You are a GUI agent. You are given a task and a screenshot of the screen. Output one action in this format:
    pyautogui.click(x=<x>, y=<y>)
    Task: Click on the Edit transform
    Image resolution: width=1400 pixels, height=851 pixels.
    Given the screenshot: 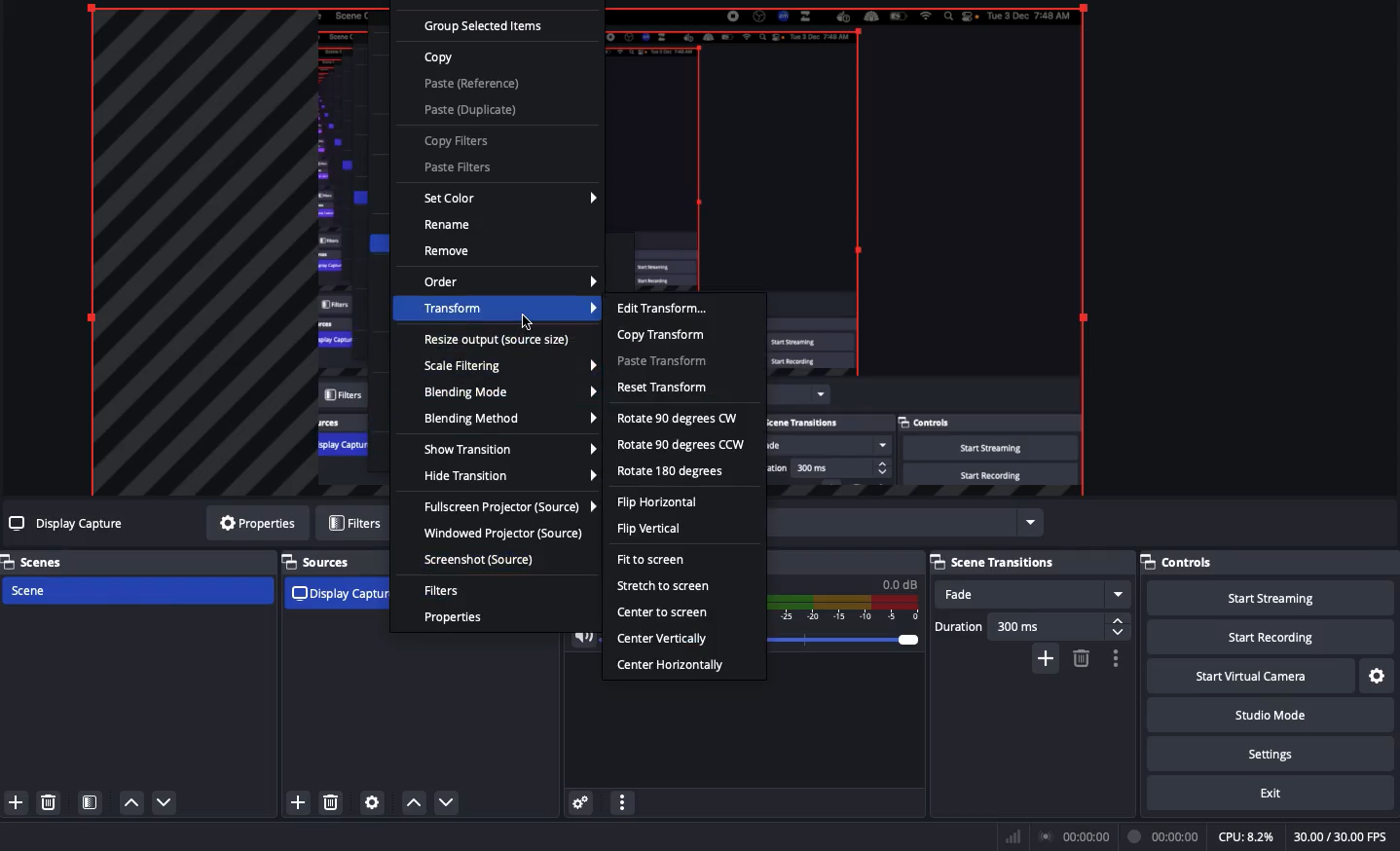 What is the action you would take?
    pyautogui.click(x=667, y=309)
    